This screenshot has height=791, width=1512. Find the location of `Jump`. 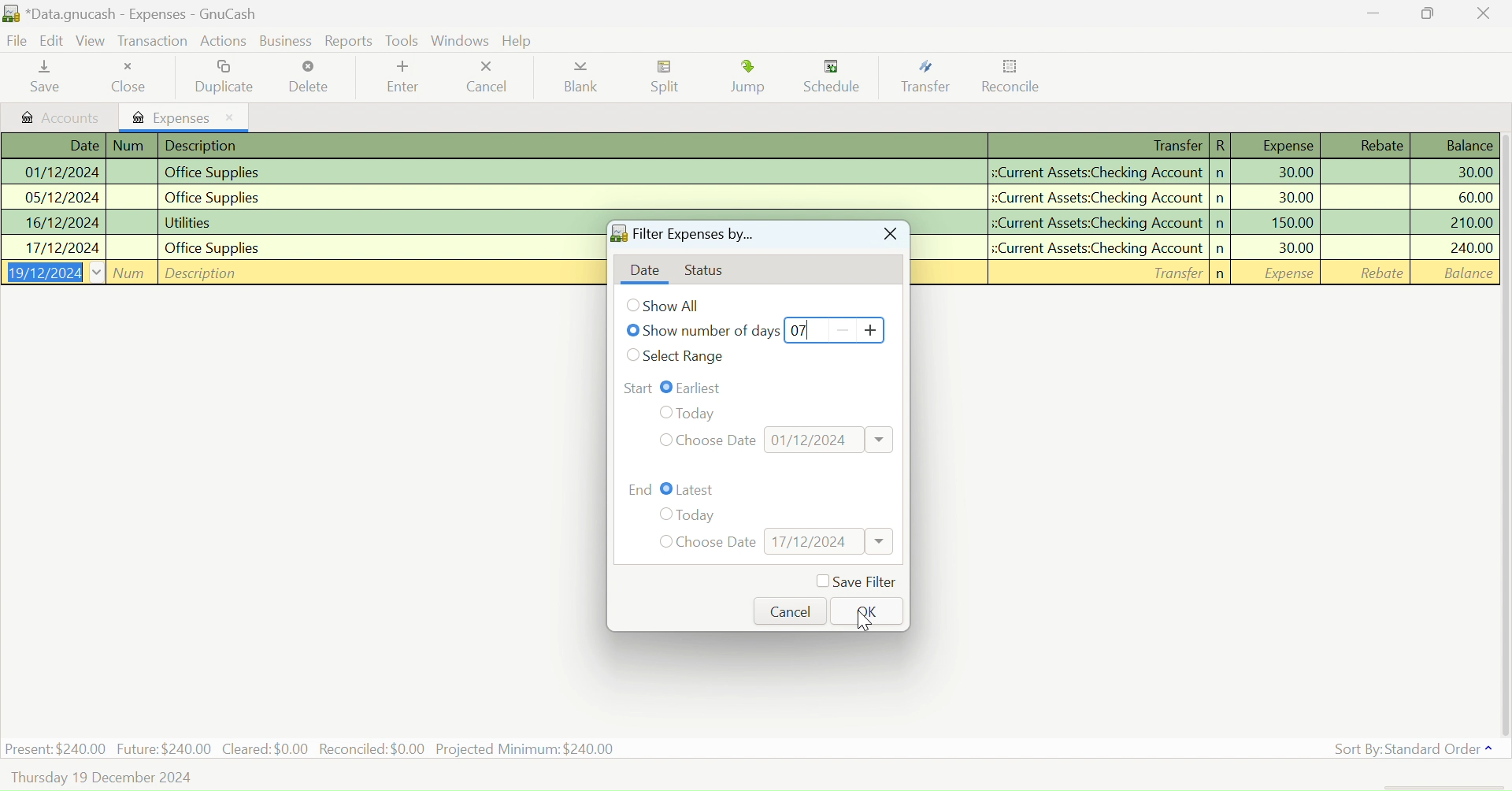

Jump is located at coordinates (751, 80).